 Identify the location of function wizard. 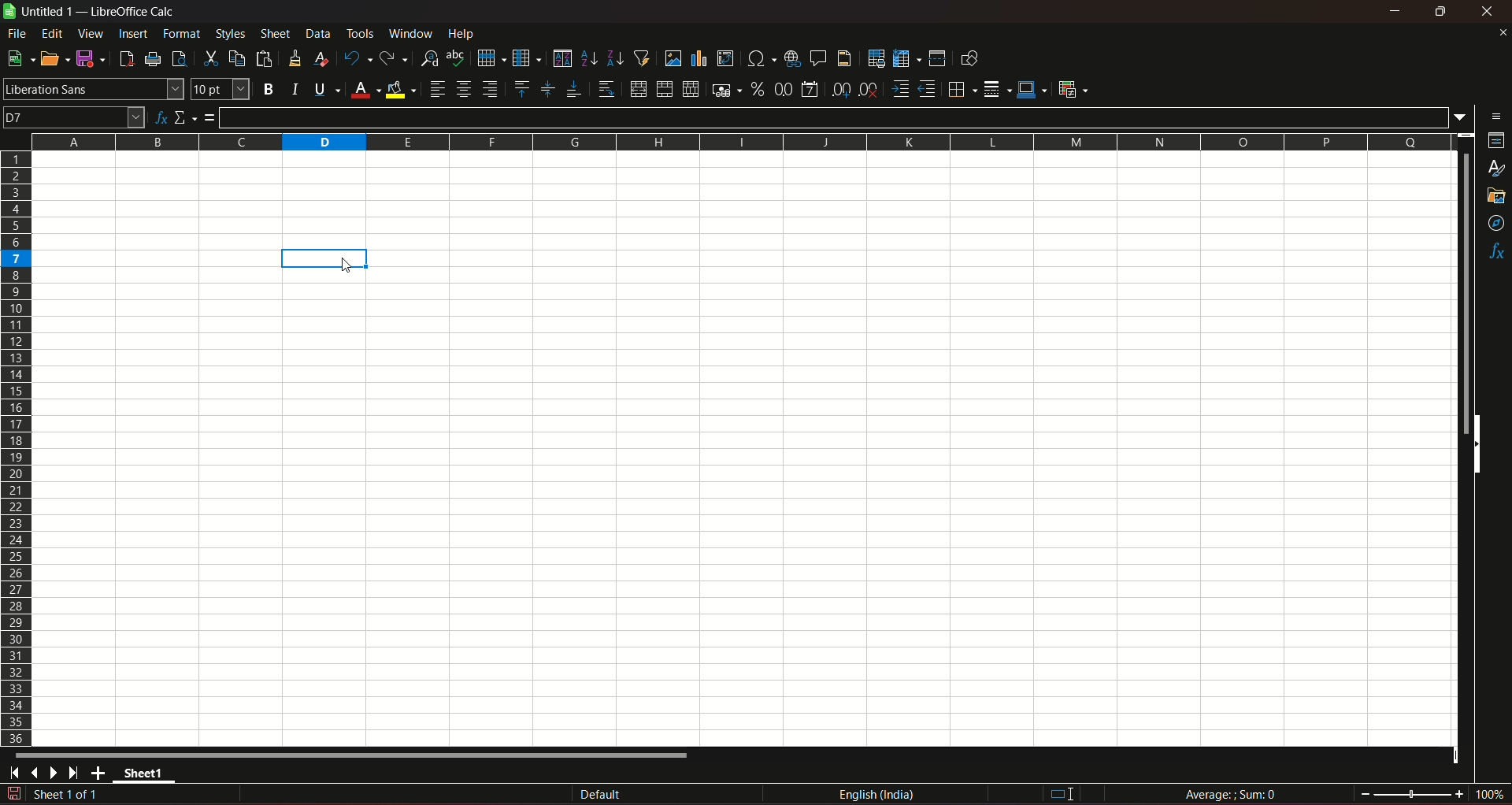
(159, 118).